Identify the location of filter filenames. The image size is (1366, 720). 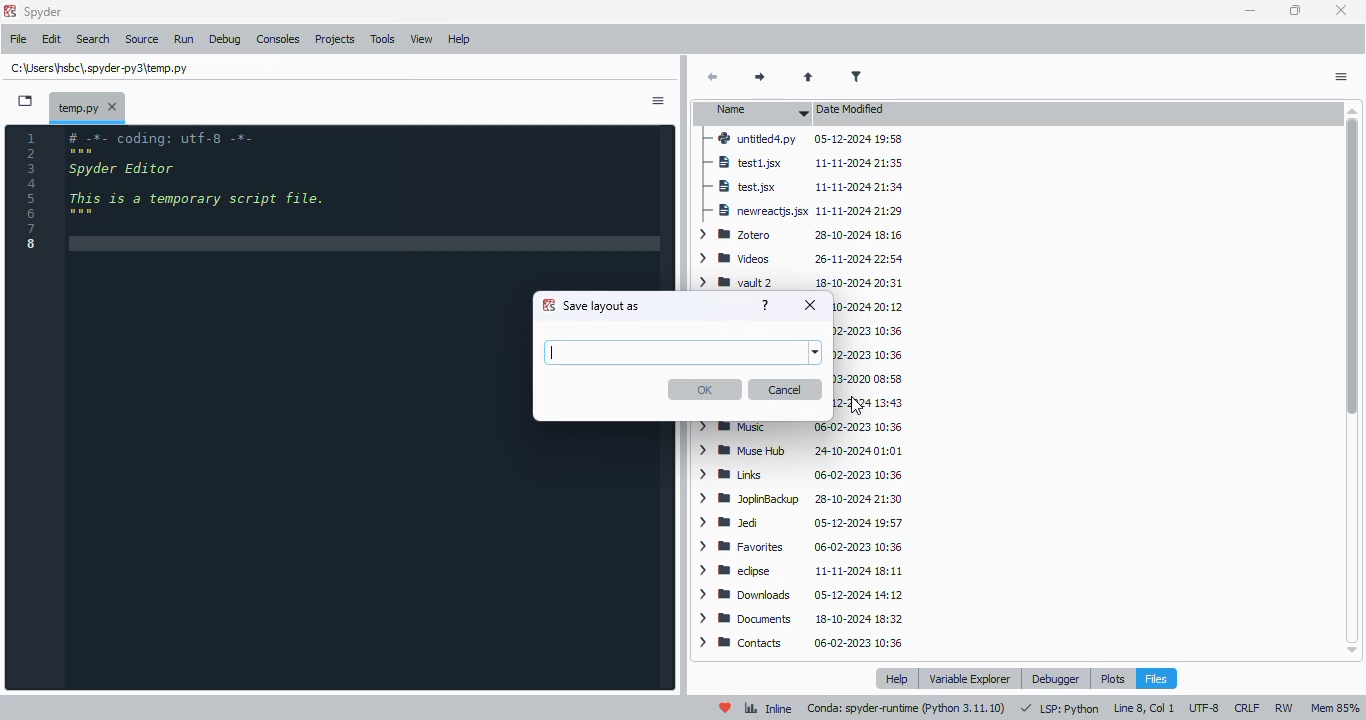
(858, 77).